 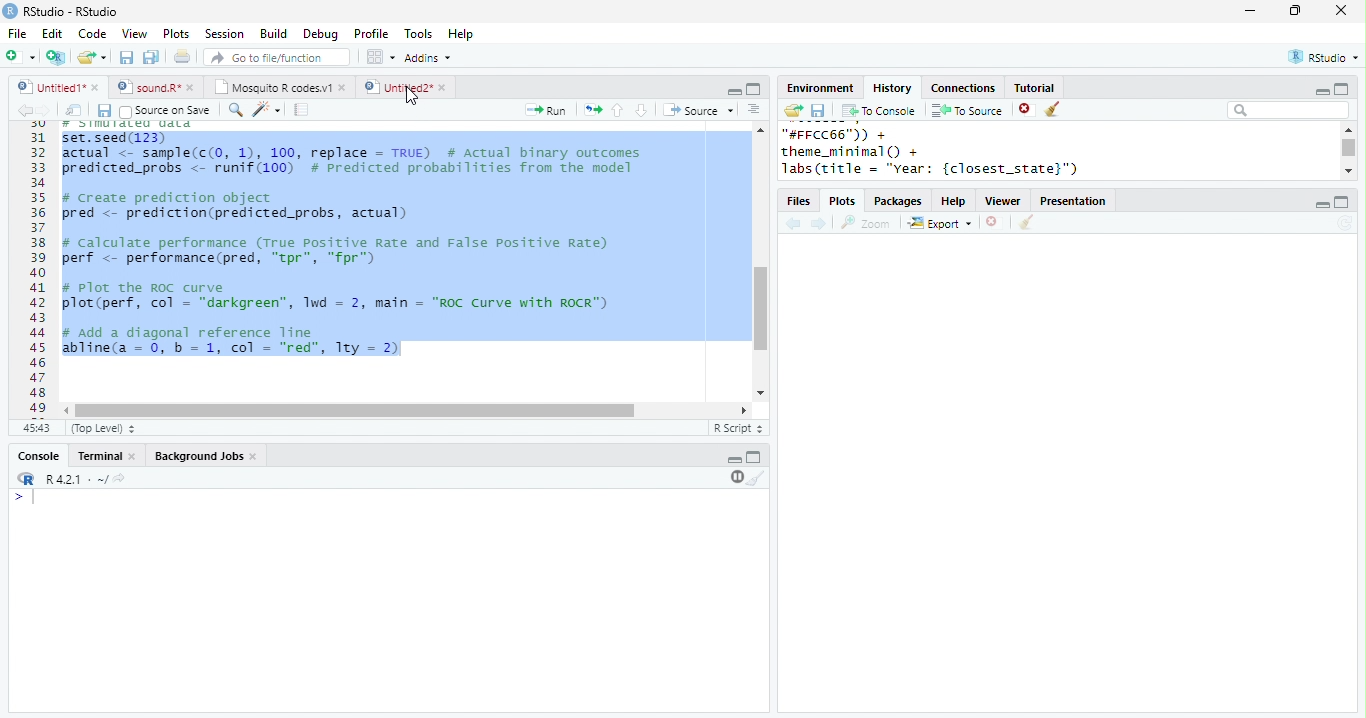 I want to click on search, so click(x=236, y=110).